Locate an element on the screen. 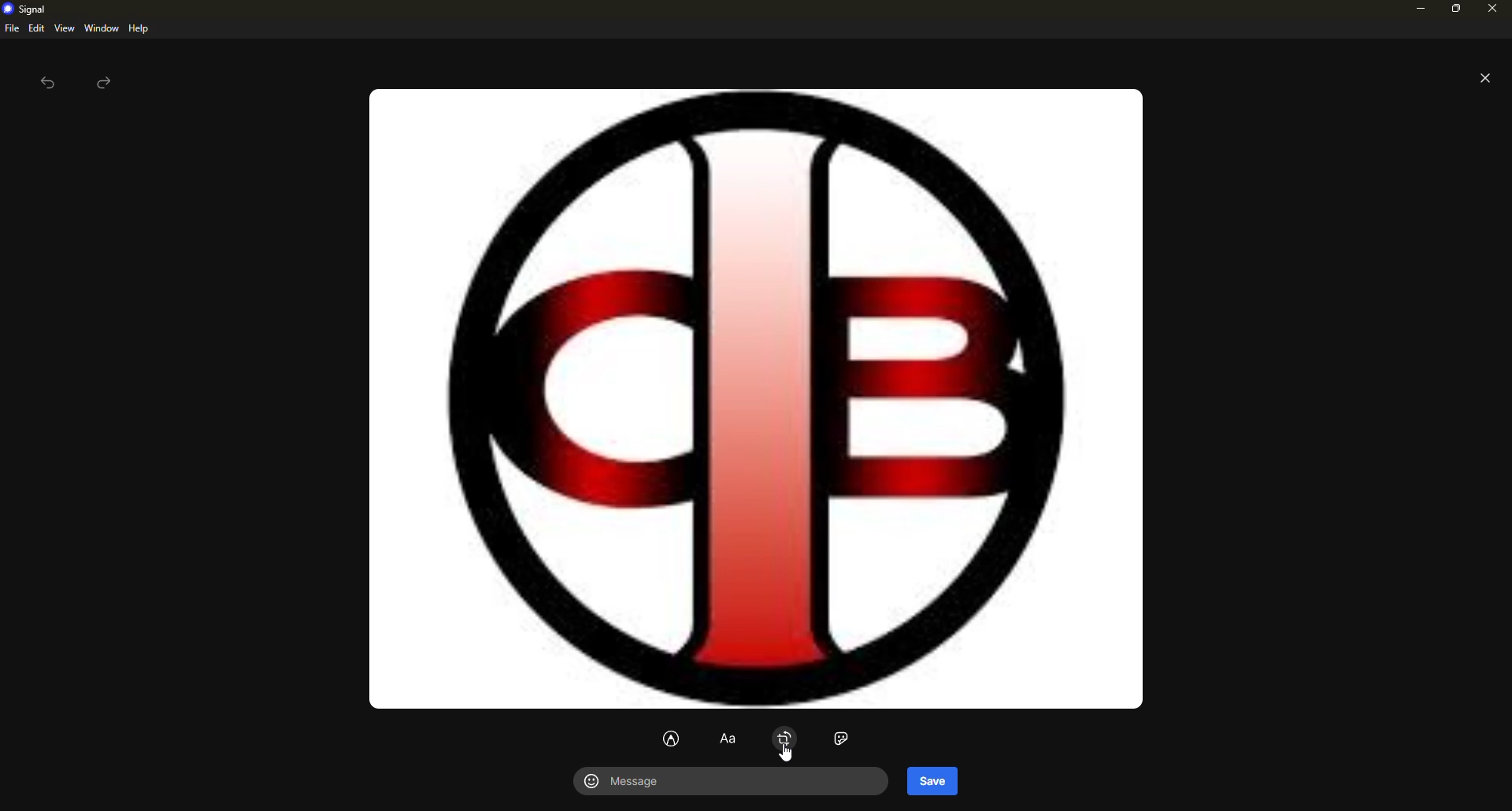  save is located at coordinates (933, 780).